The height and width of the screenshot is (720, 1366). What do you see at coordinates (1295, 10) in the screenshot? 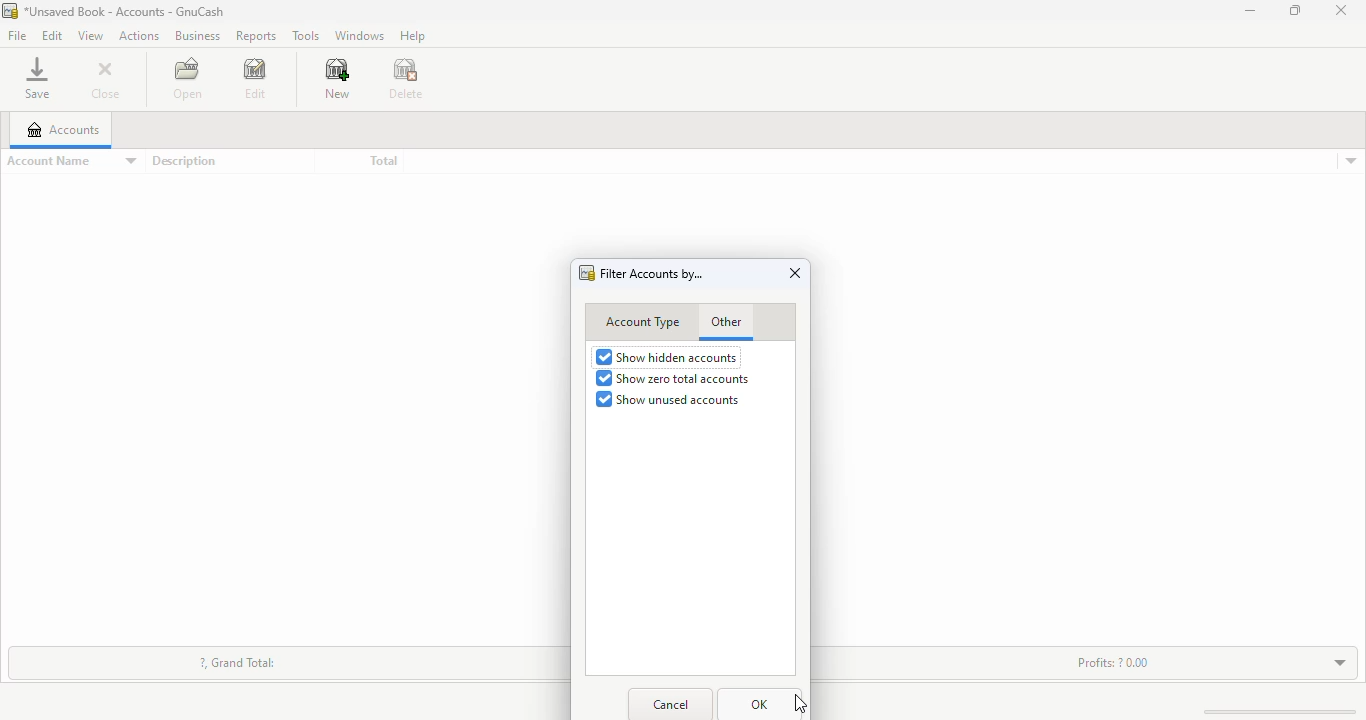
I see `maximize` at bounding box center [1295, 10].